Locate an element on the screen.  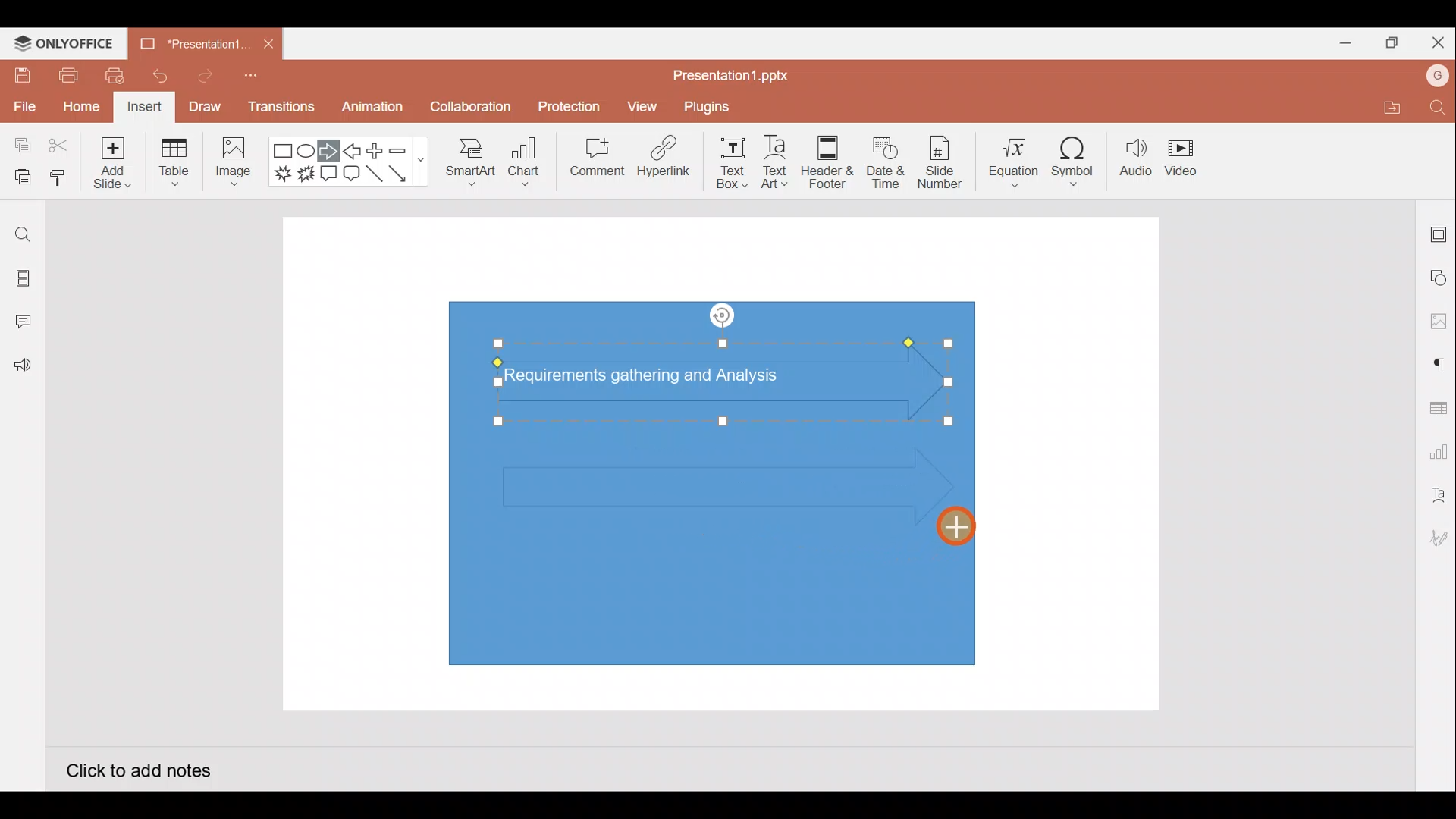
Date & time is located at coordinates (886, 162).